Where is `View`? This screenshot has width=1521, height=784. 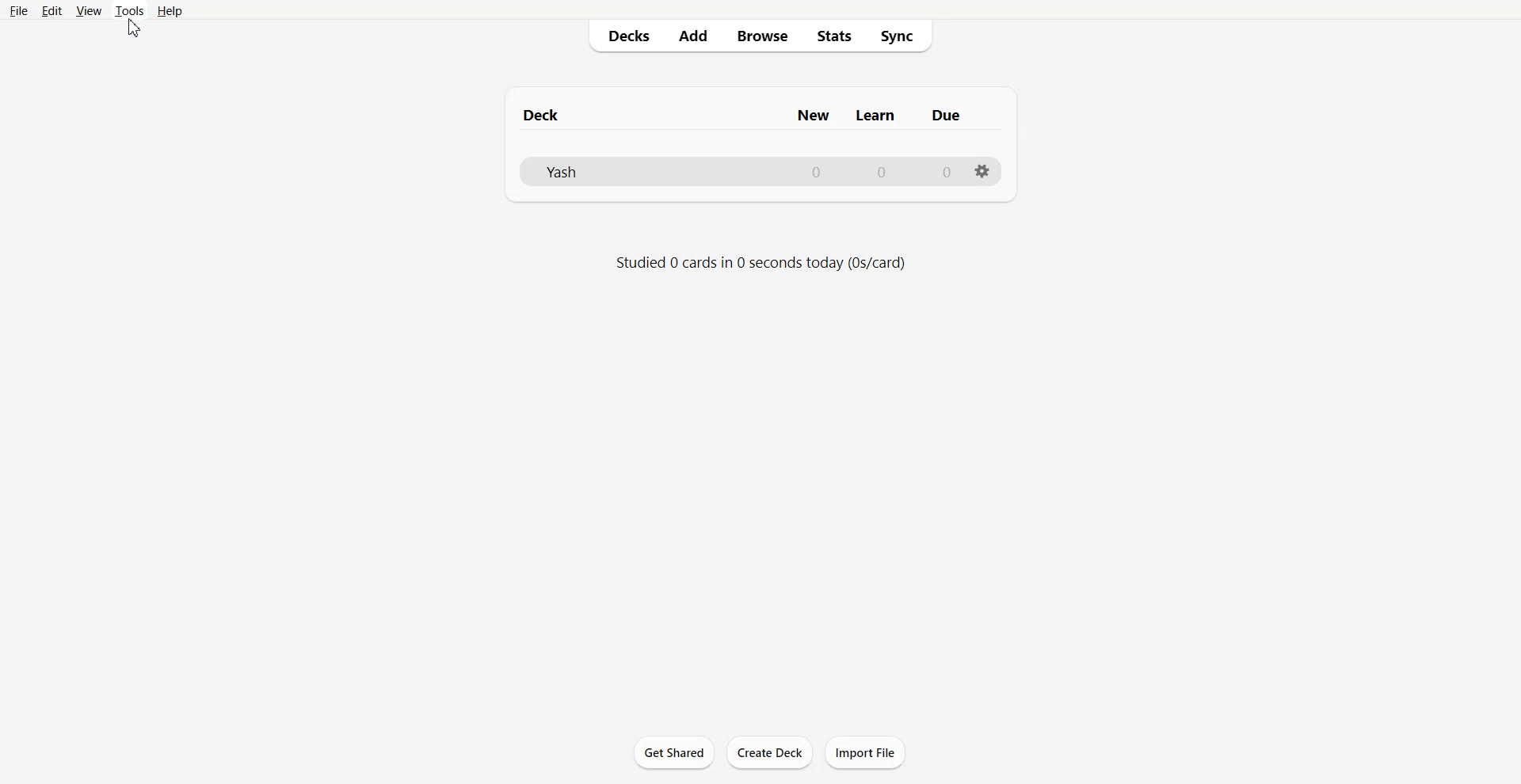
View is located at coordinates (90, 10).